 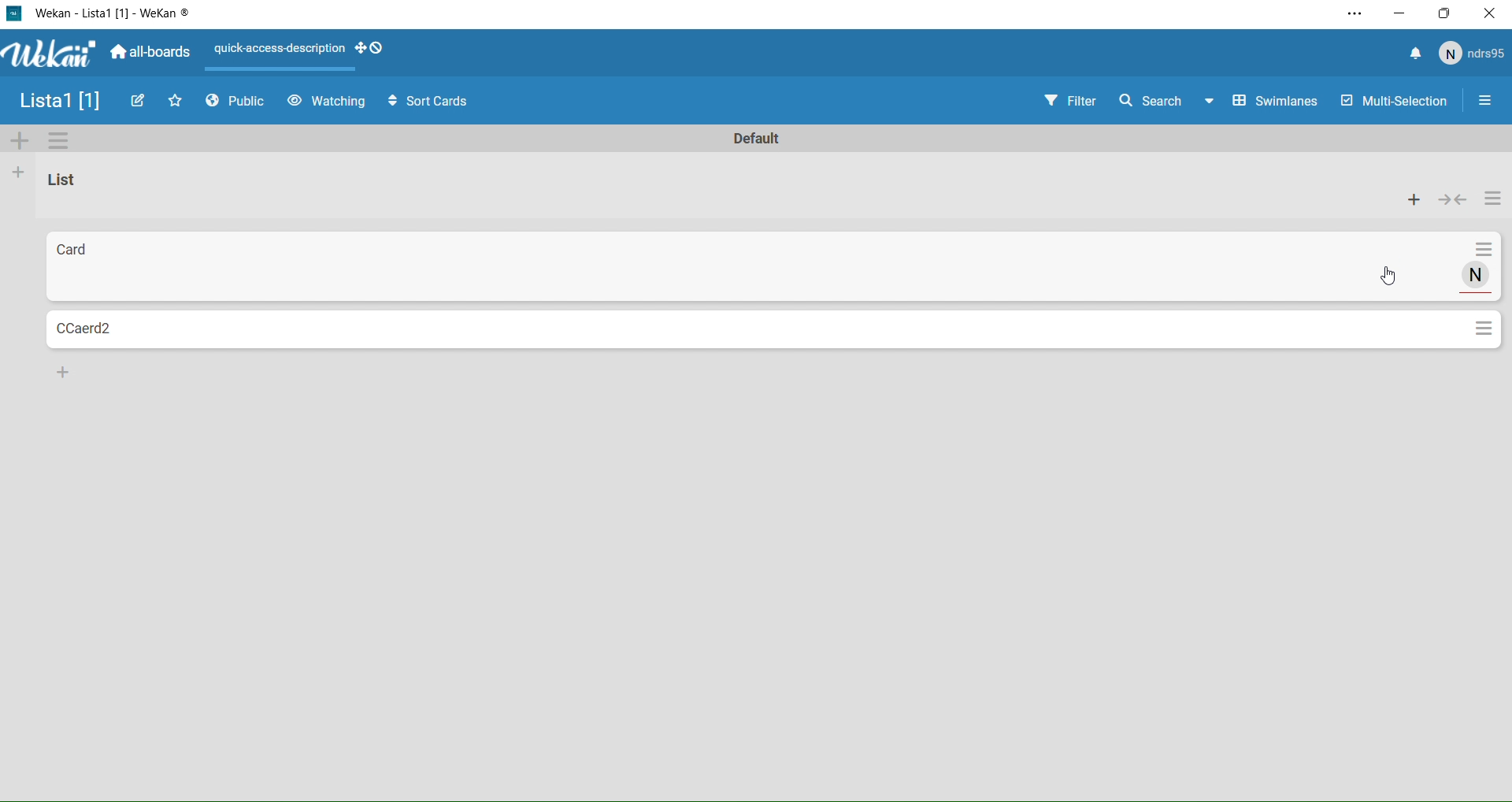 I want to click on Search, so click(x=1150, y=100).